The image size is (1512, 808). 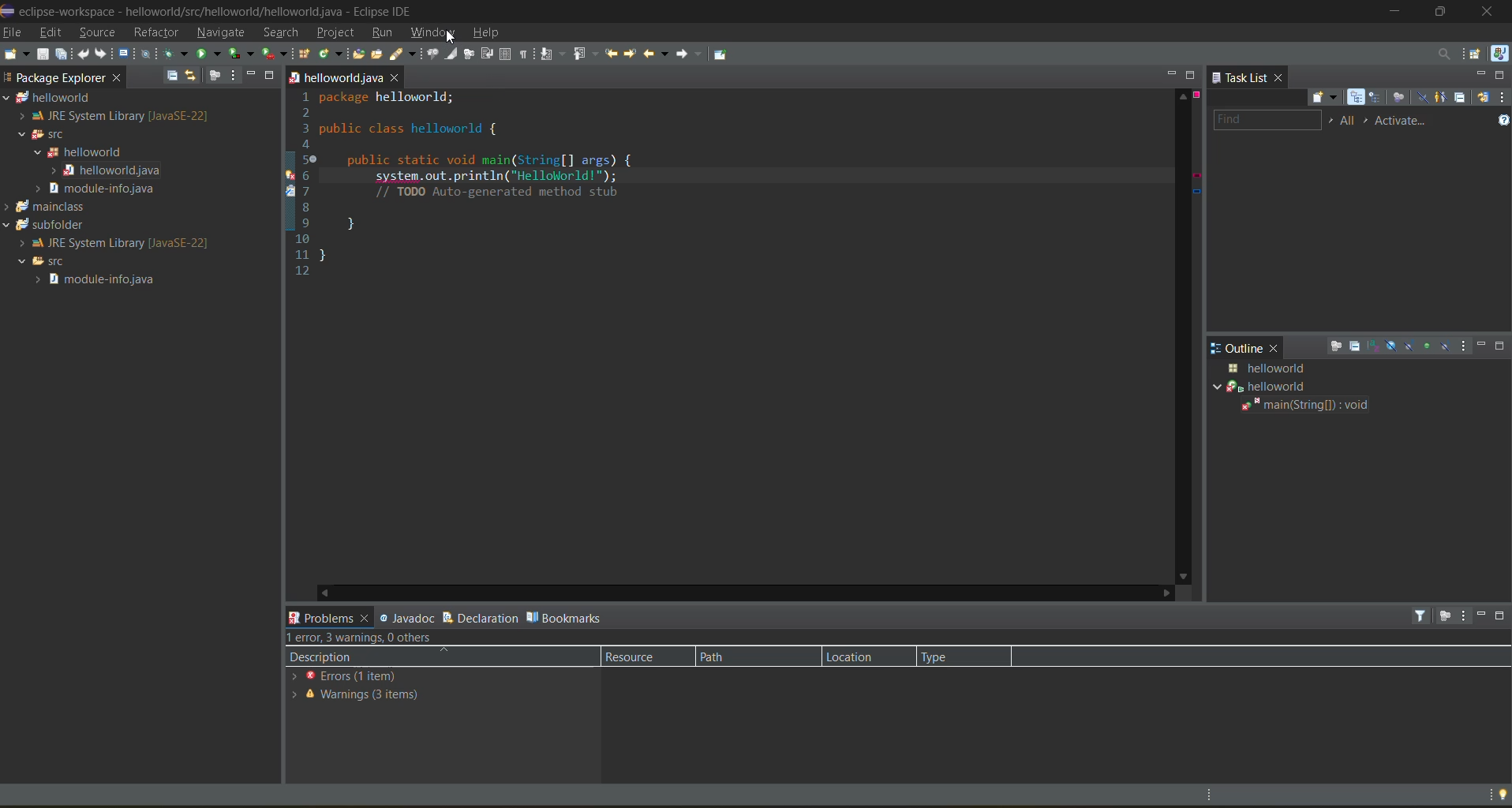 What do you see at coordinates (47, 133) in the screenshot?
I see `SFC` at bounding box center [47, 133].